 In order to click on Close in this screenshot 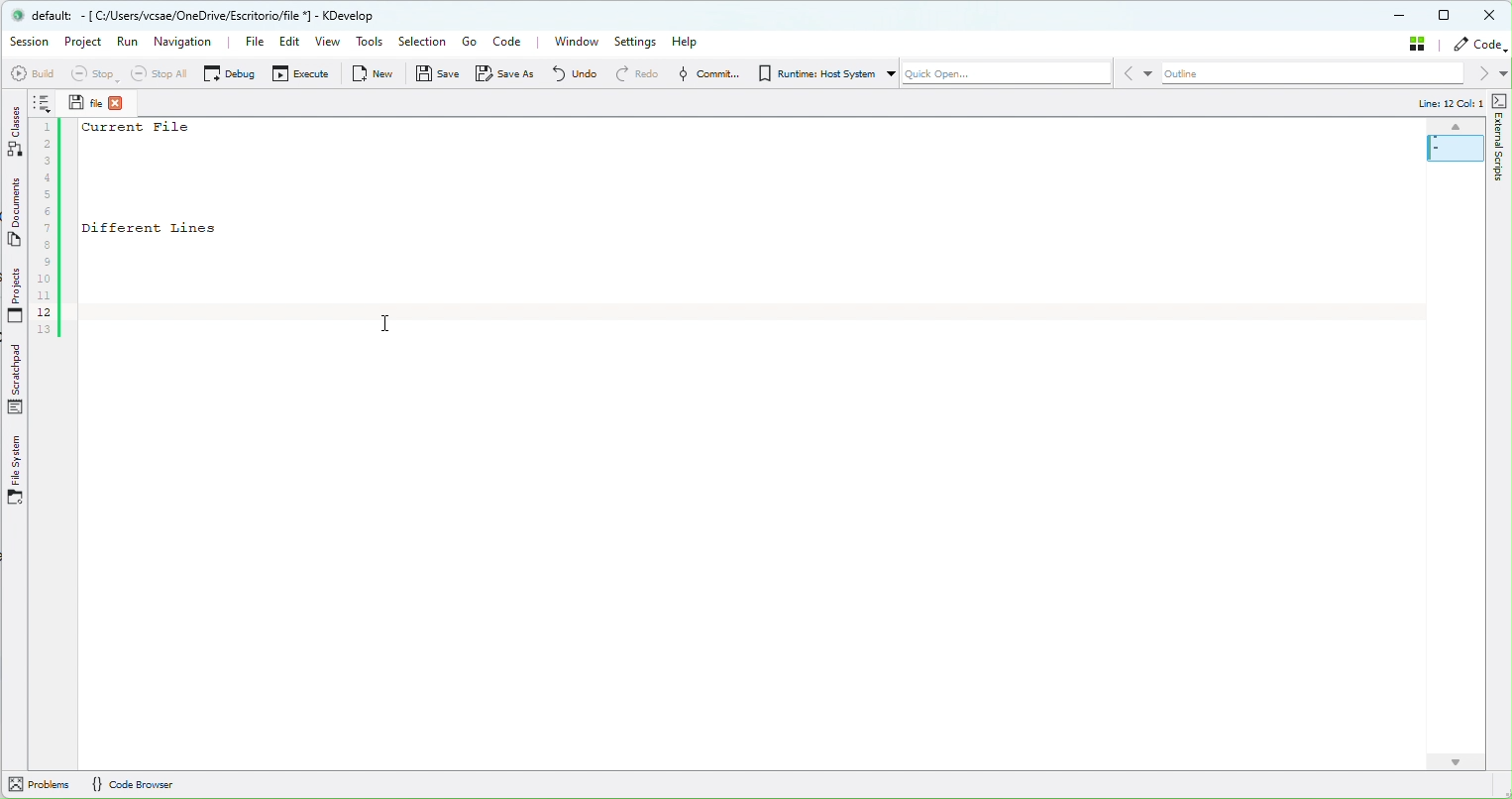, I will do `click(1488, 14)`.